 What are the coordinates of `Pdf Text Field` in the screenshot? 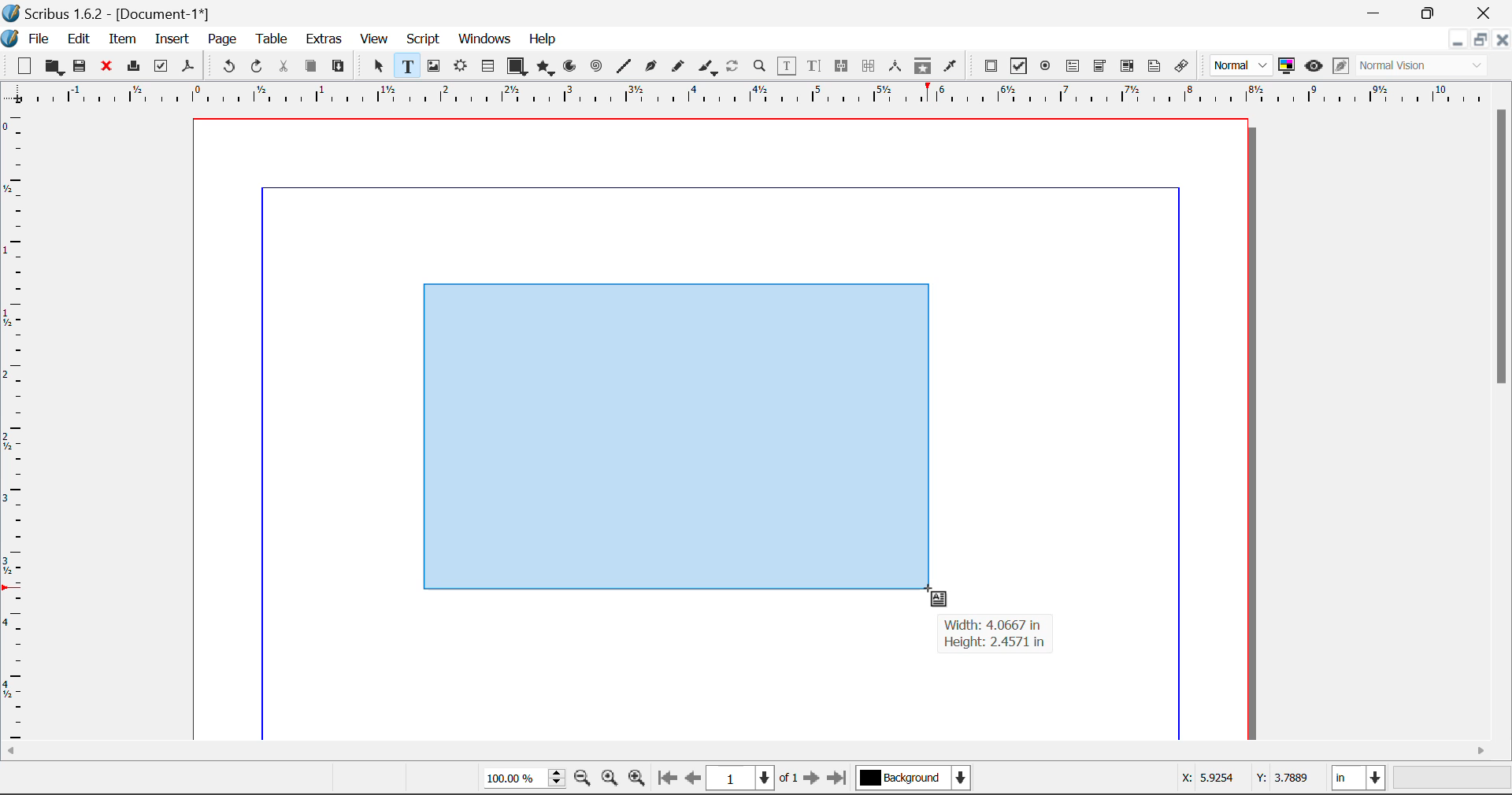 It's located at (1073, 65).